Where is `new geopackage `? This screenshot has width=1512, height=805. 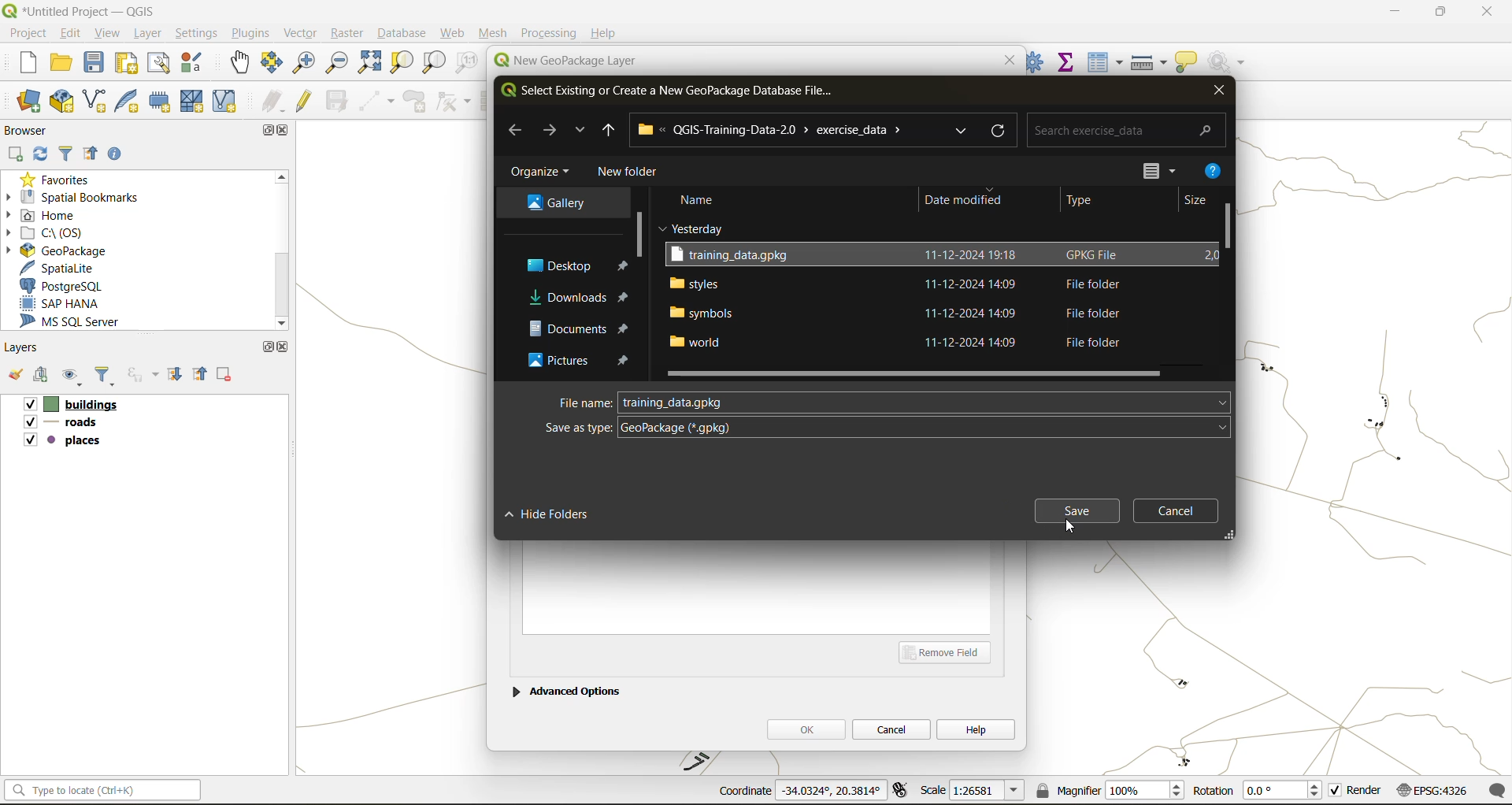
new geopackage  is located at coordinates (62, 102).